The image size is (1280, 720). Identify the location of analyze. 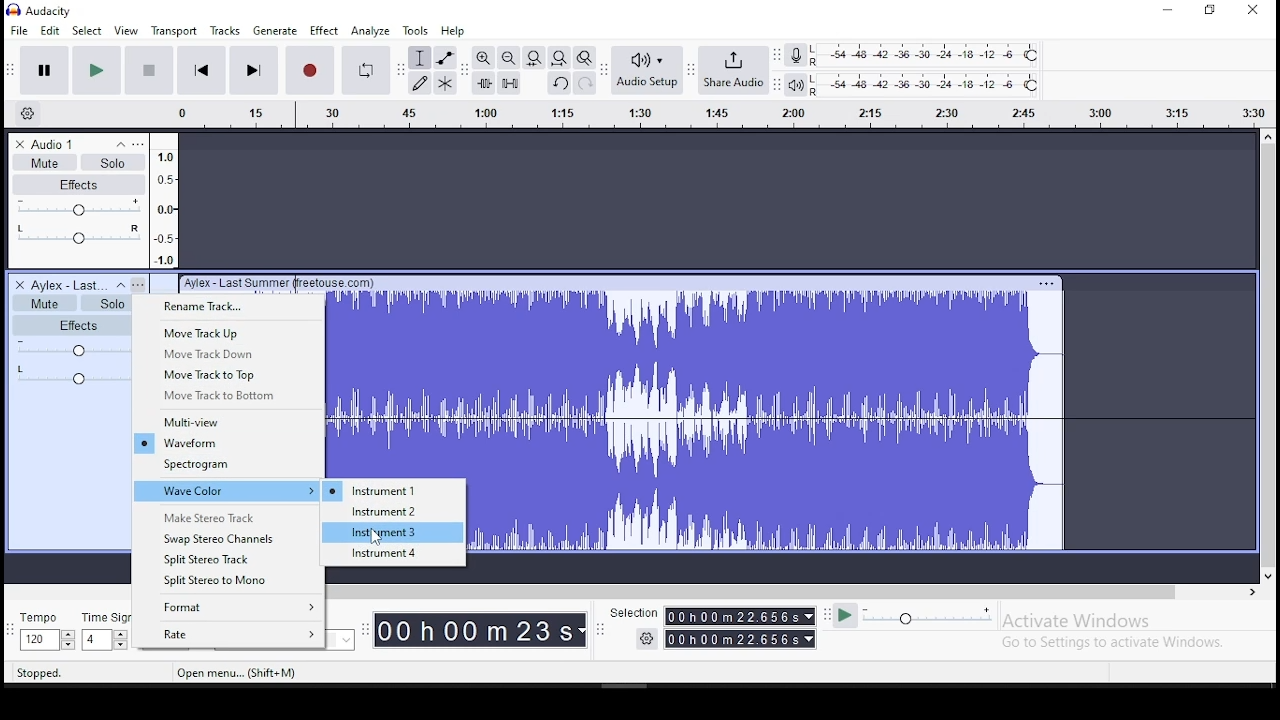
(371, 31).